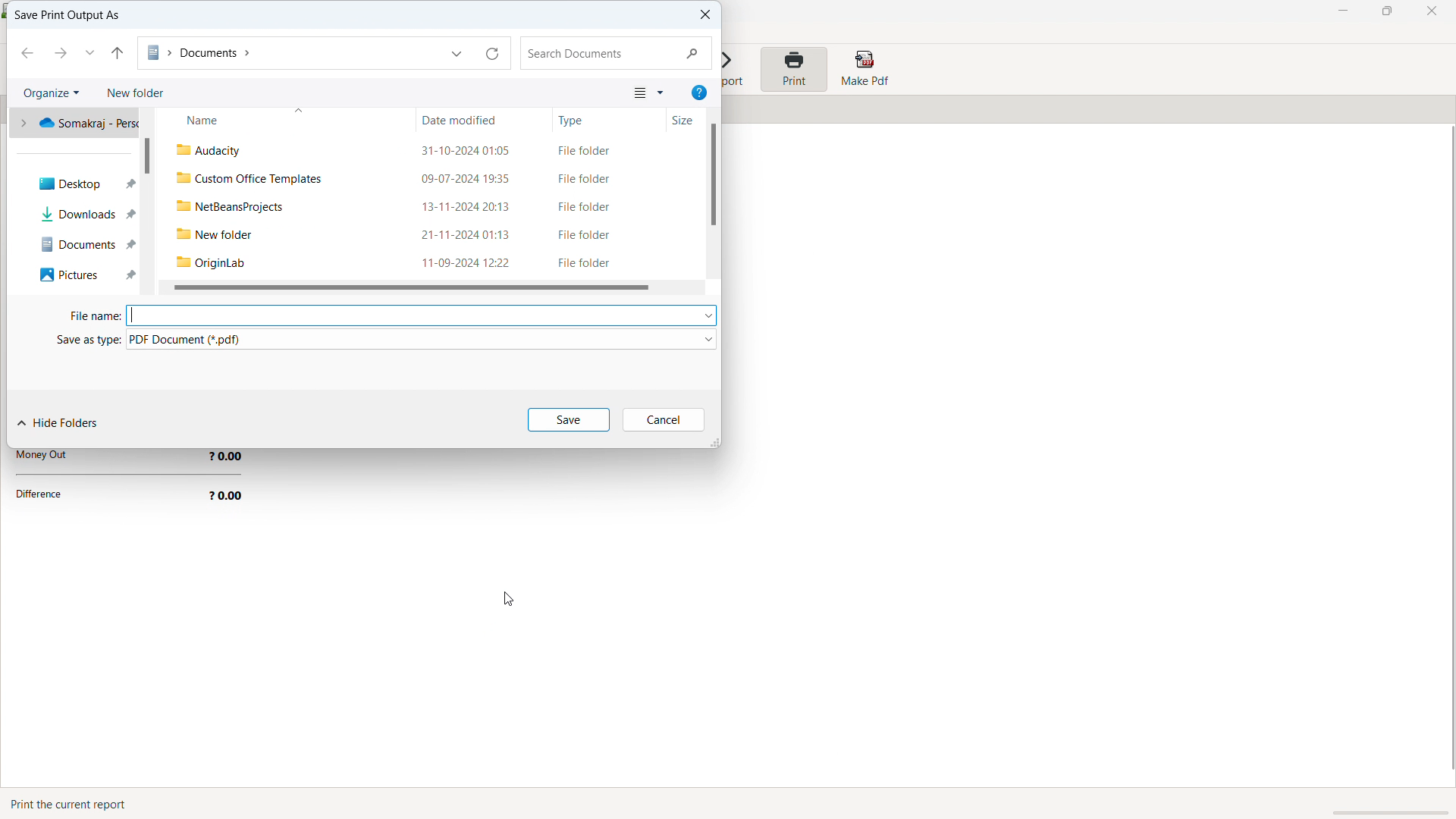 Image resolution: width=1456 pixels, height=819 pixels. Describe the element at coordinates (736, 71) in the screenshot. I see `export` at that location.